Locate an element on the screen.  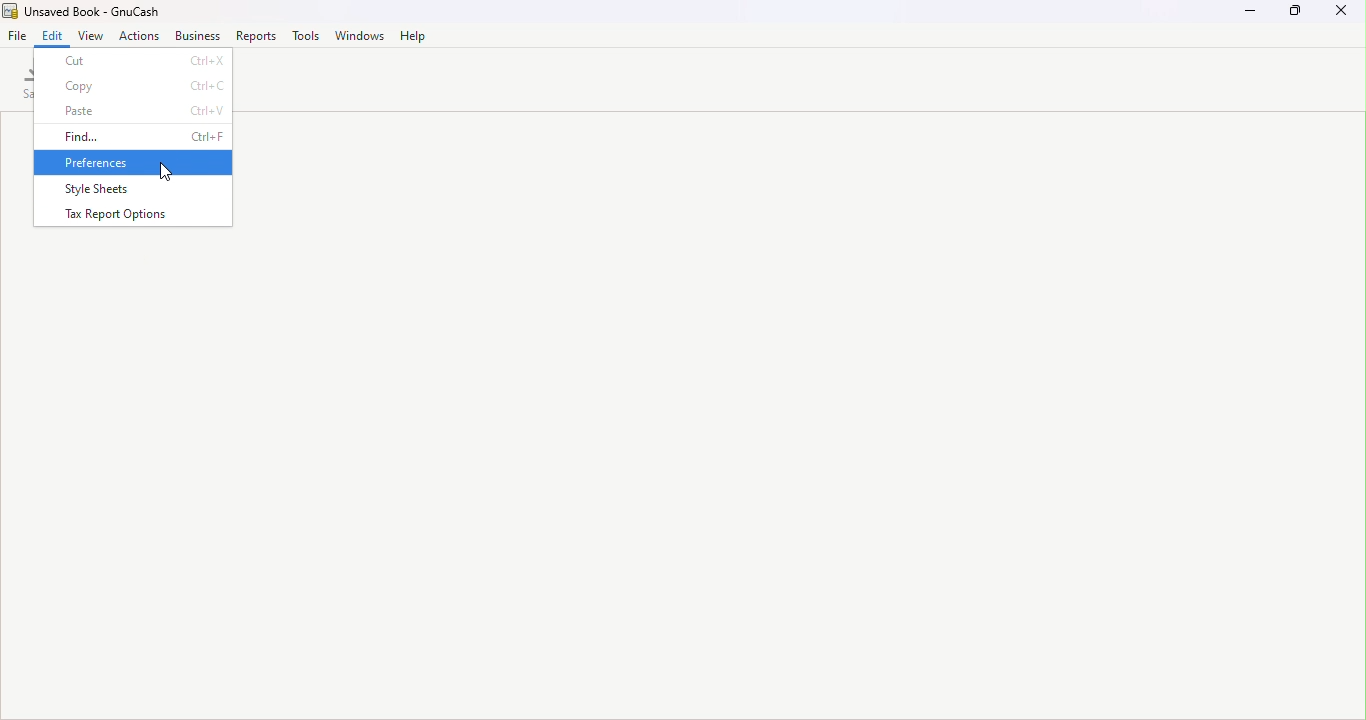
Reports is located at coordinates (258, 34).